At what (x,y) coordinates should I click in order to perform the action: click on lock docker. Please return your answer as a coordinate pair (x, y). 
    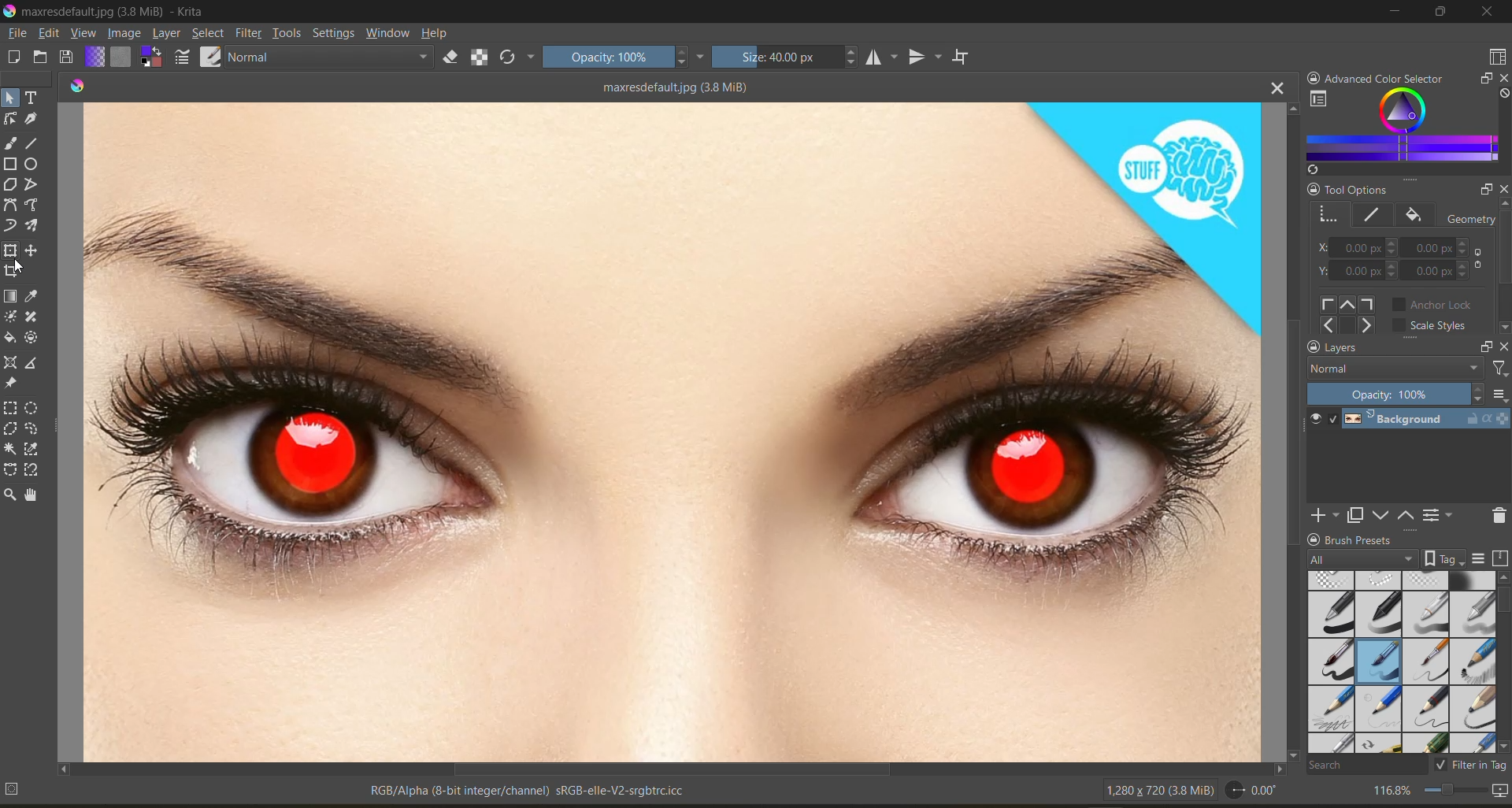
    Looking at the image, I should click on (1314, 539).